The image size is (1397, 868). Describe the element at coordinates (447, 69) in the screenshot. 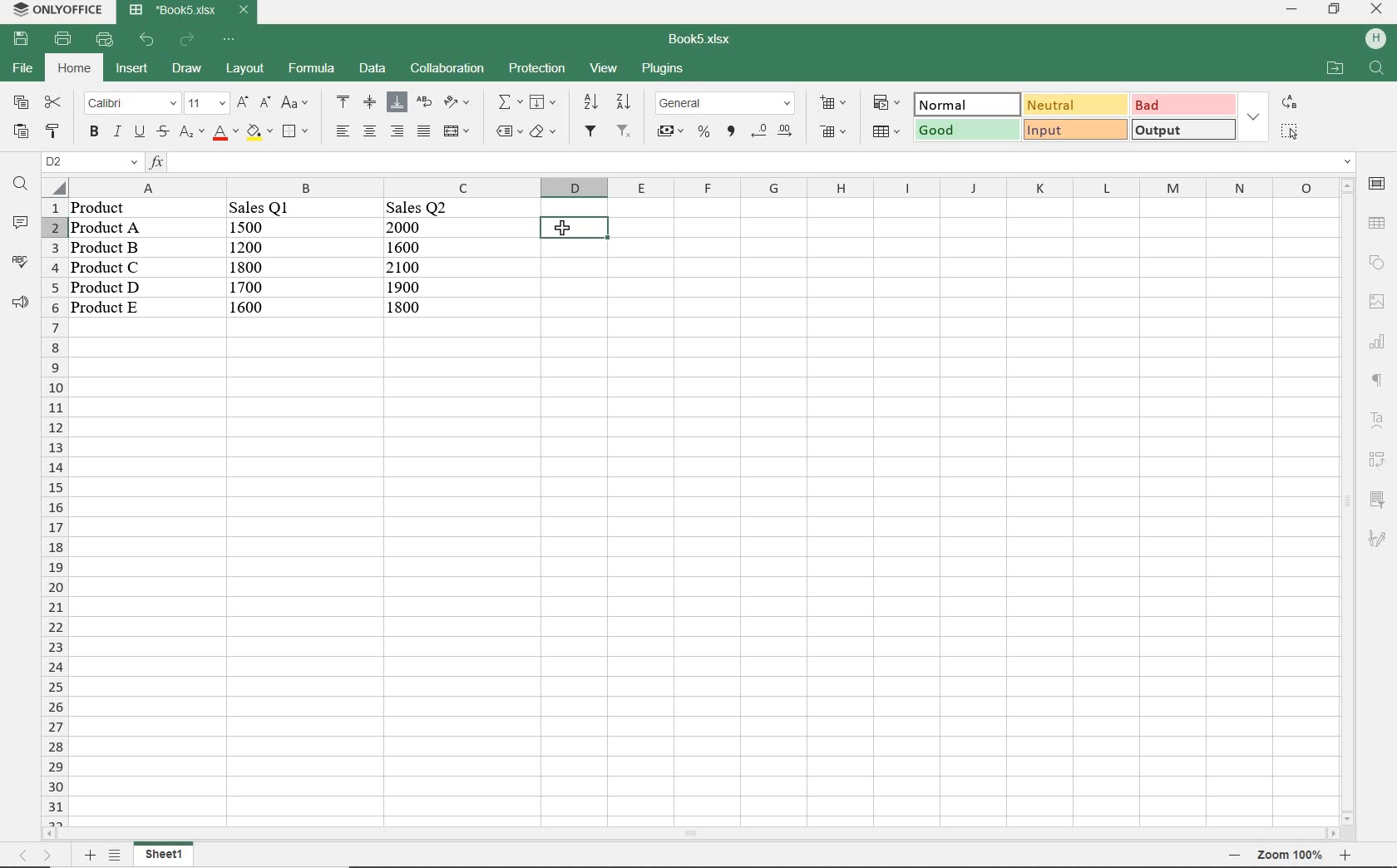

I see `collaboration` at that location.